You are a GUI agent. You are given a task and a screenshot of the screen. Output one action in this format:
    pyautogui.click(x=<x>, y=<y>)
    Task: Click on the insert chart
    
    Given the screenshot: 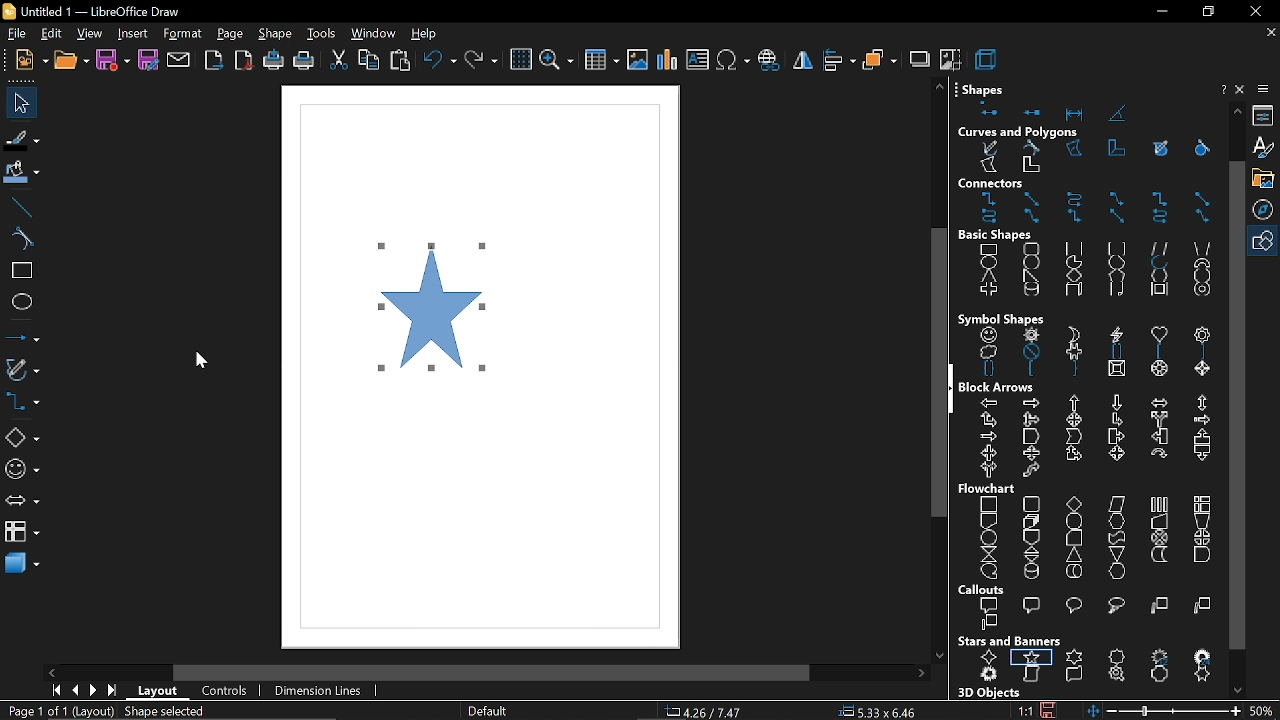 What is the action you would take?
    pyautogui.click(x=668, y=60)
    